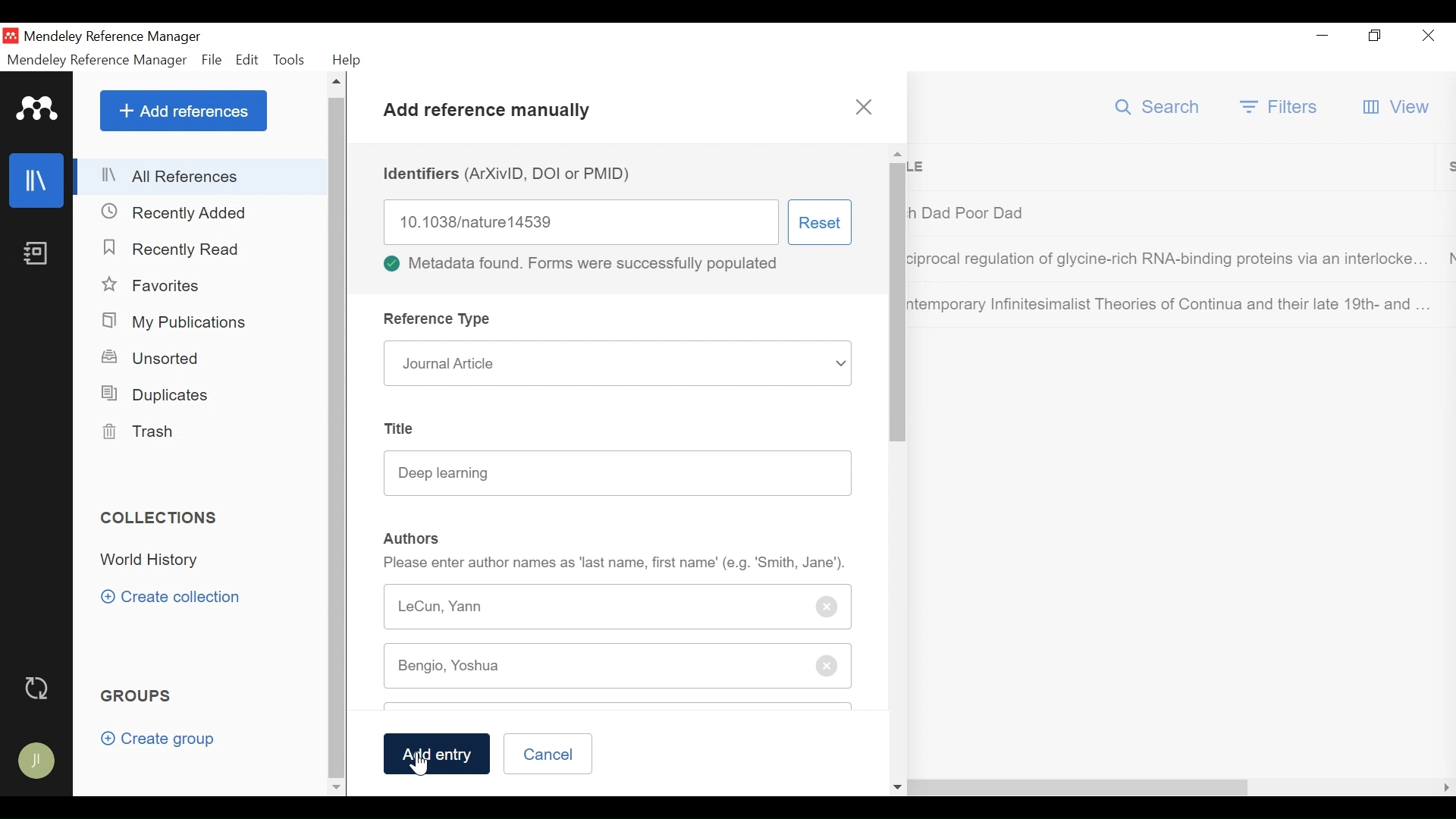 The width and height of the screenshot is (1456, 819). I want to click on minimize, so click(1323, 37).